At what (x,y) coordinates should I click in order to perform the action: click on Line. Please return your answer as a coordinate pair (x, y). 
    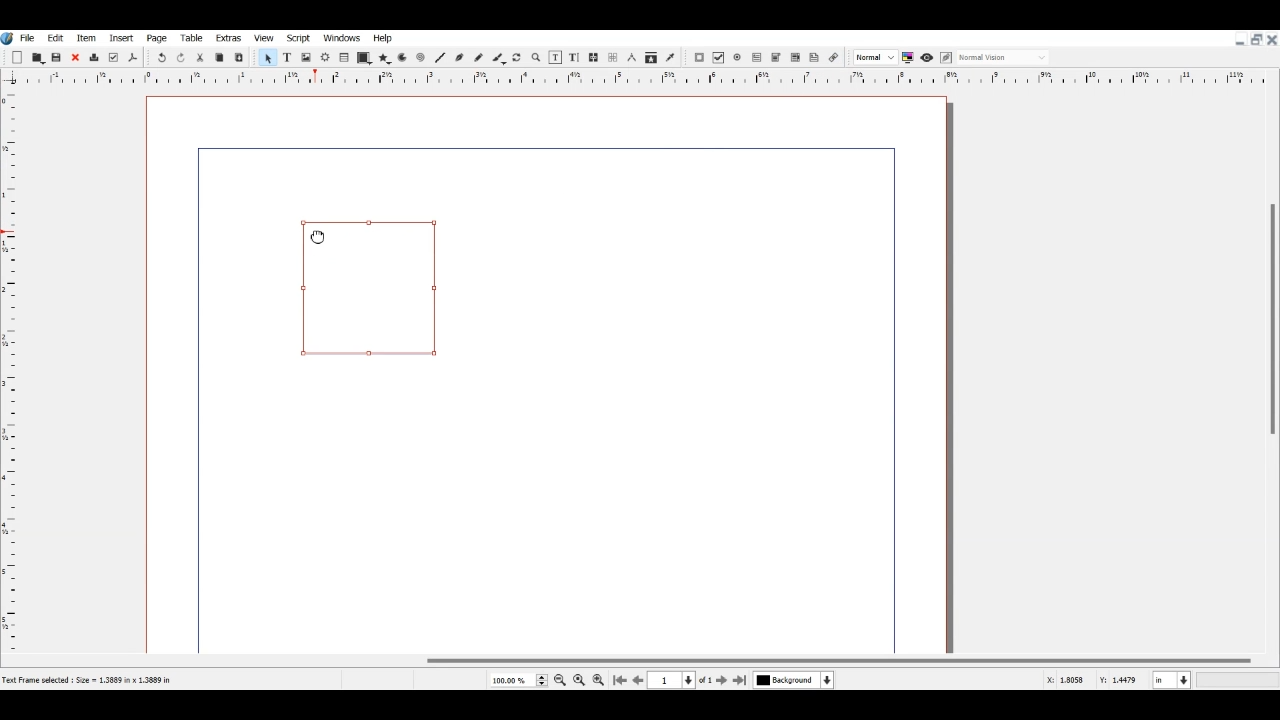
    Looking at the image, I should click on (440, 57).